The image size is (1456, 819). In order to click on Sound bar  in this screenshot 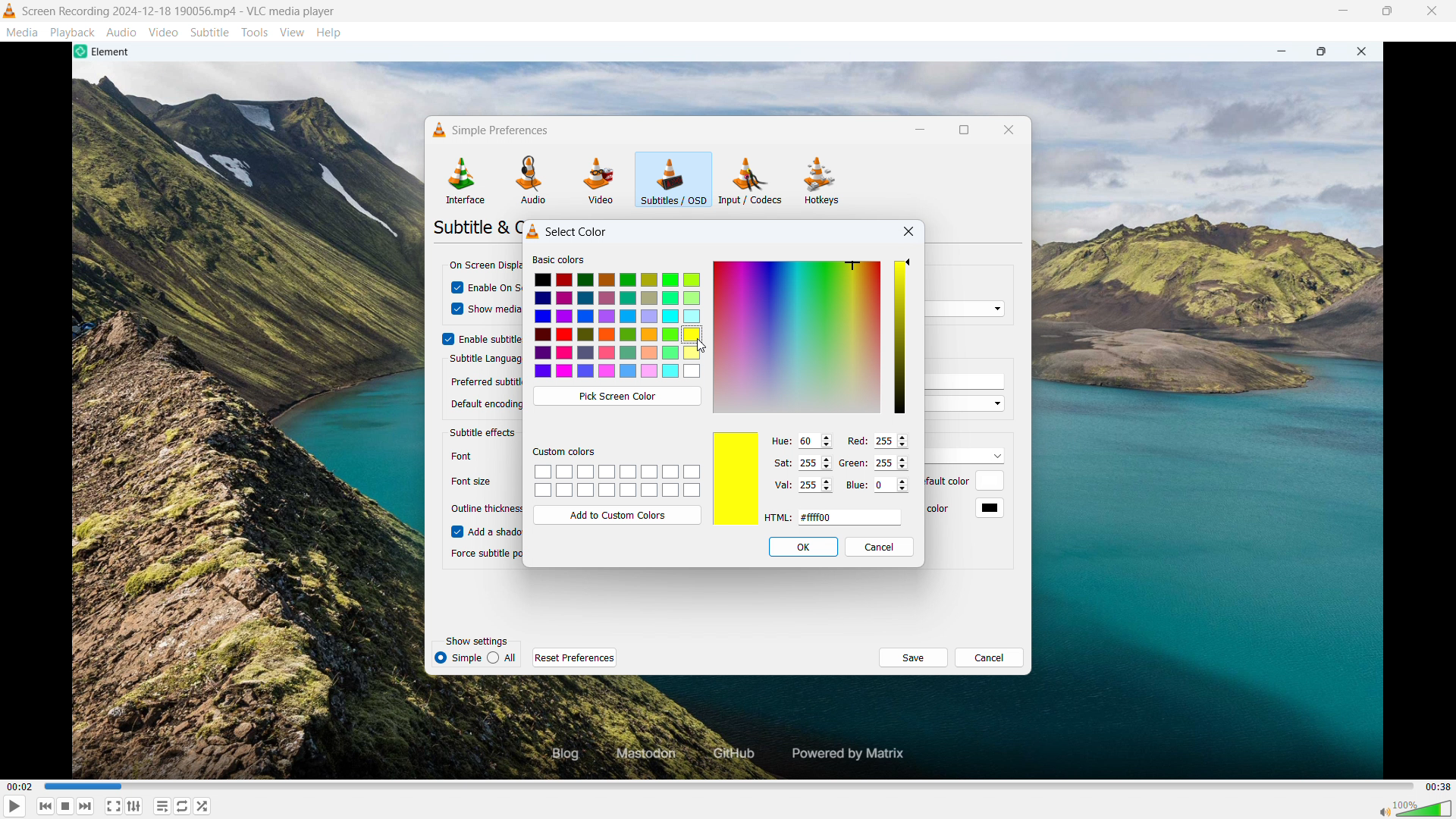, I will do `click(1416, 808)`.